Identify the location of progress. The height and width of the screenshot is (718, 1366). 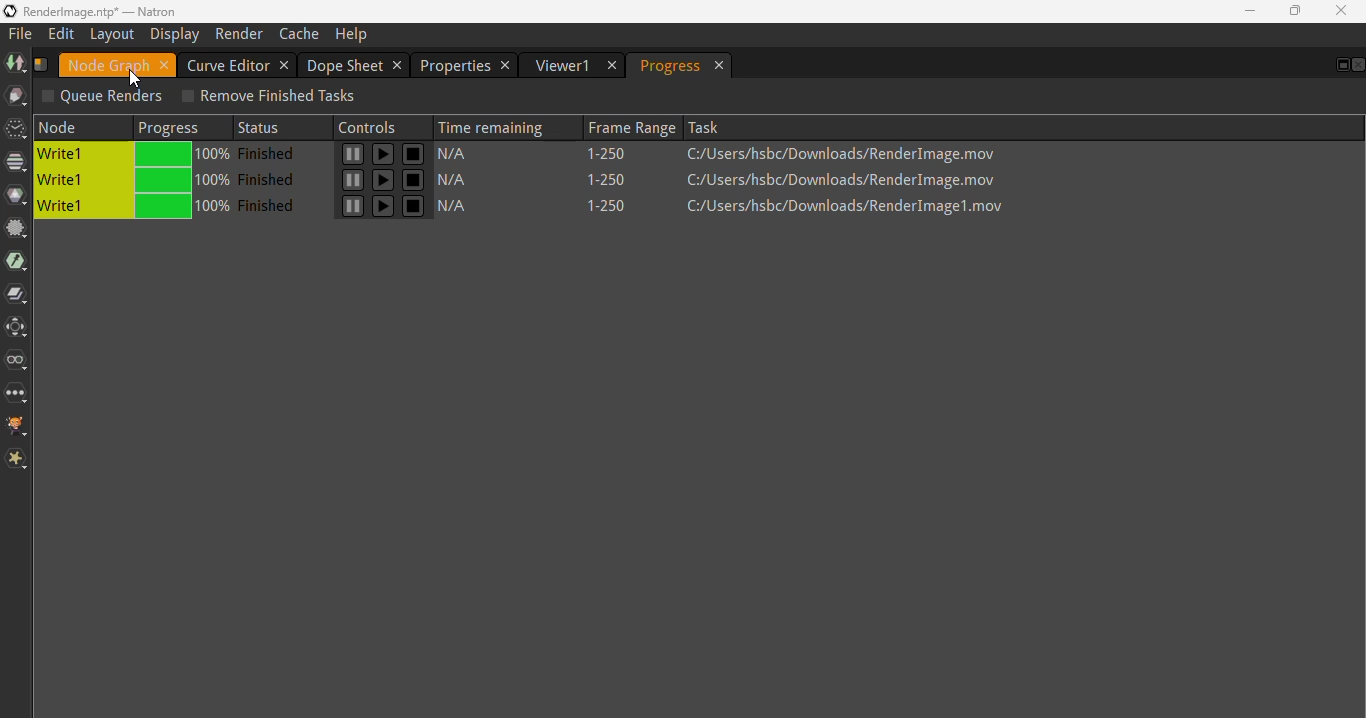
(183, 181).